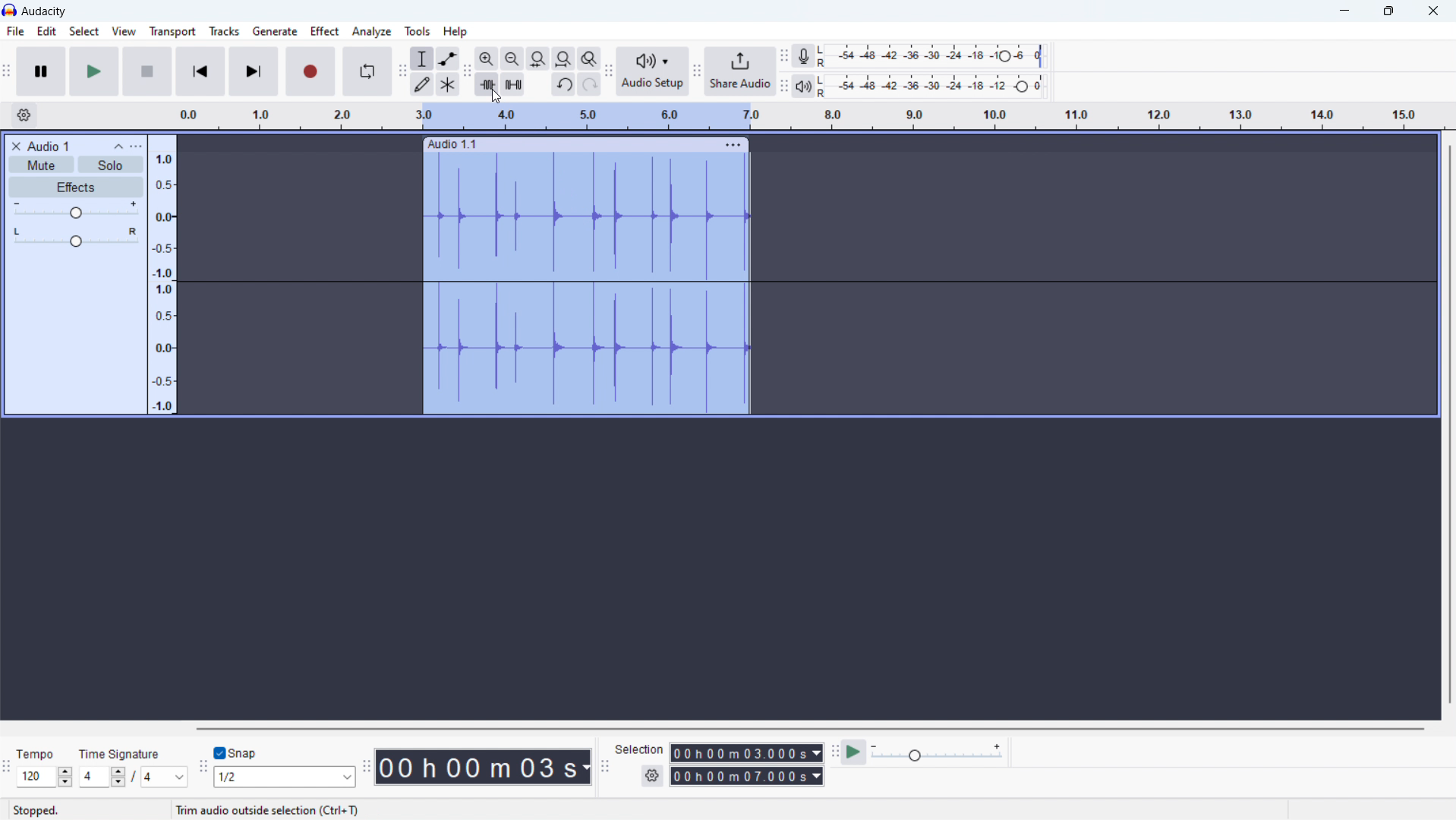 The image size is (1456, 820). I want to click on title, so click(50, 146).